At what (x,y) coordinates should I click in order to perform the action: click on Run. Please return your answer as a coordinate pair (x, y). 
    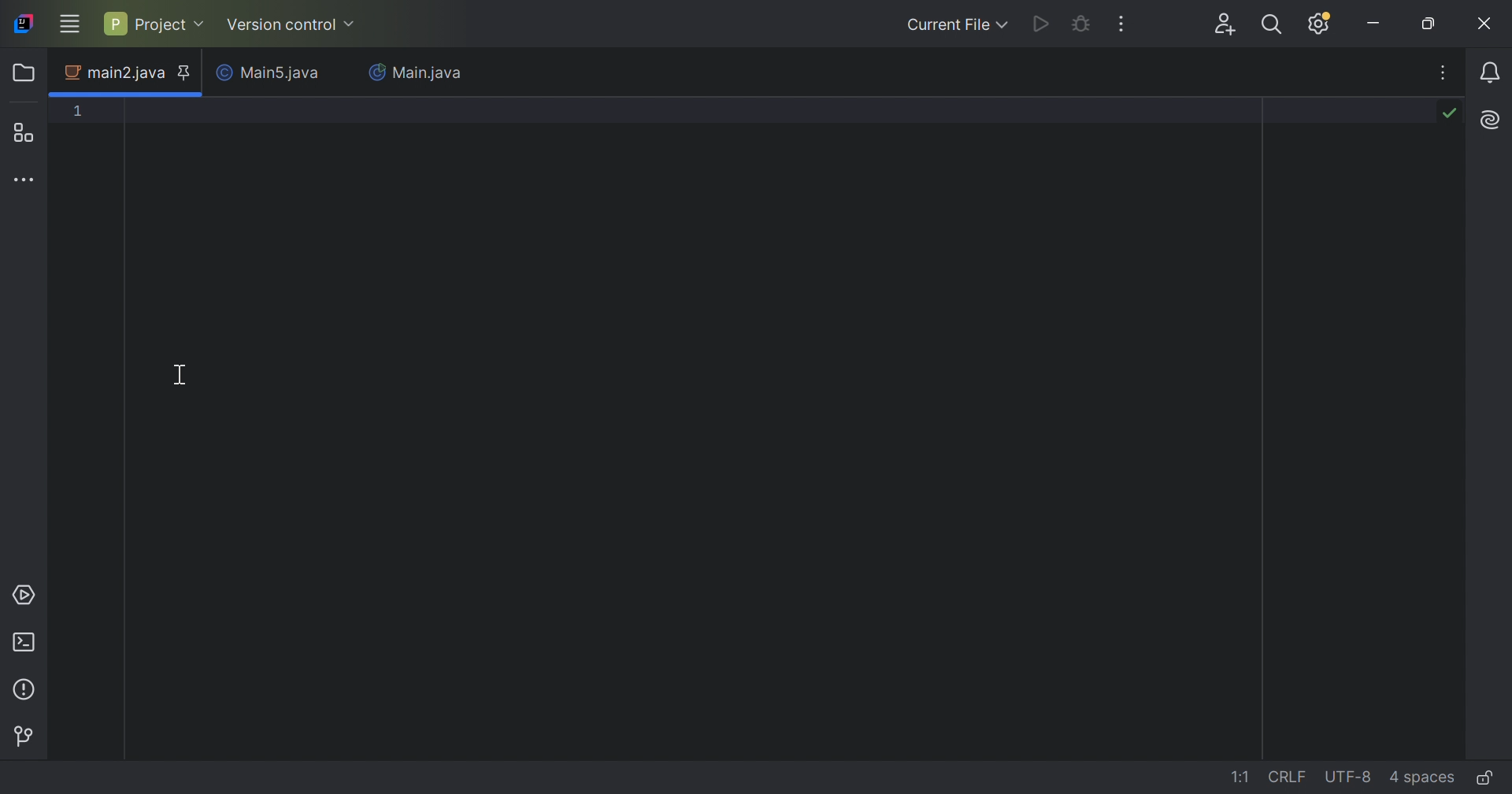
    Looking at the image, I should click on (1042, 24).